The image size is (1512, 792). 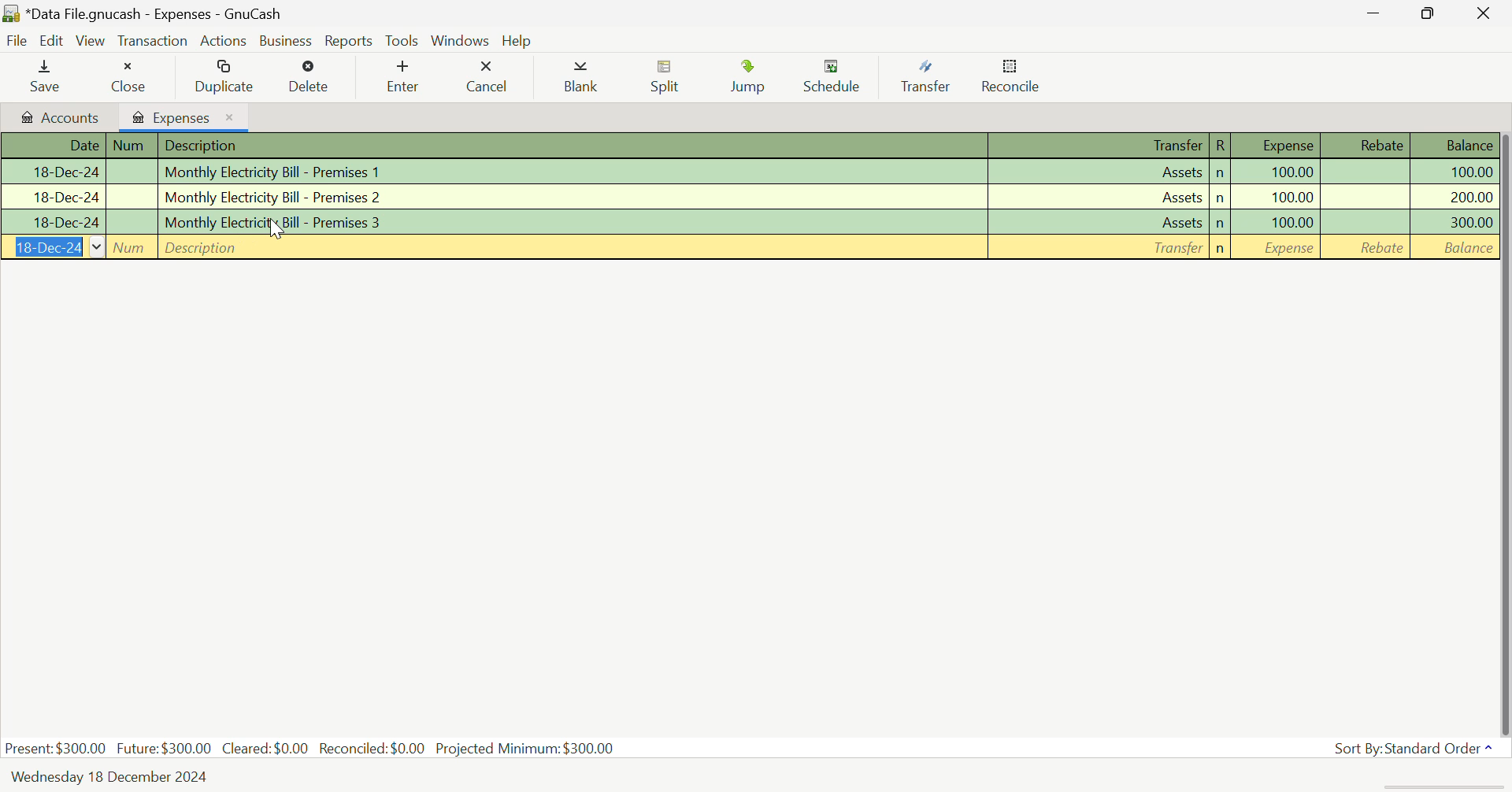 What do you see at coordinates (275, 228) in the screenshot?
I see `Cursor Position` at bounding box center [275, 228].